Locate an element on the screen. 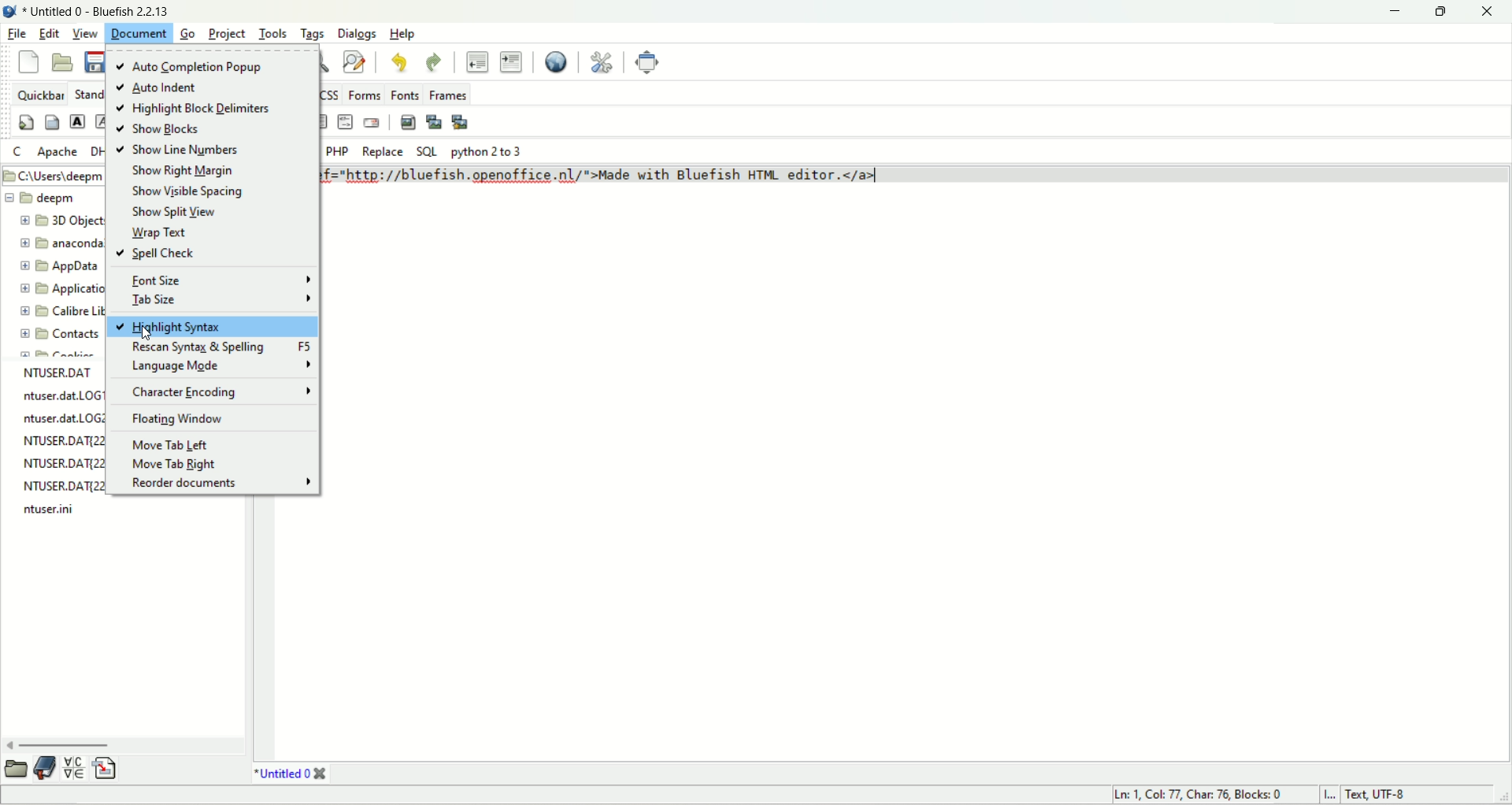  insert images is located at coordinates (407, 122).